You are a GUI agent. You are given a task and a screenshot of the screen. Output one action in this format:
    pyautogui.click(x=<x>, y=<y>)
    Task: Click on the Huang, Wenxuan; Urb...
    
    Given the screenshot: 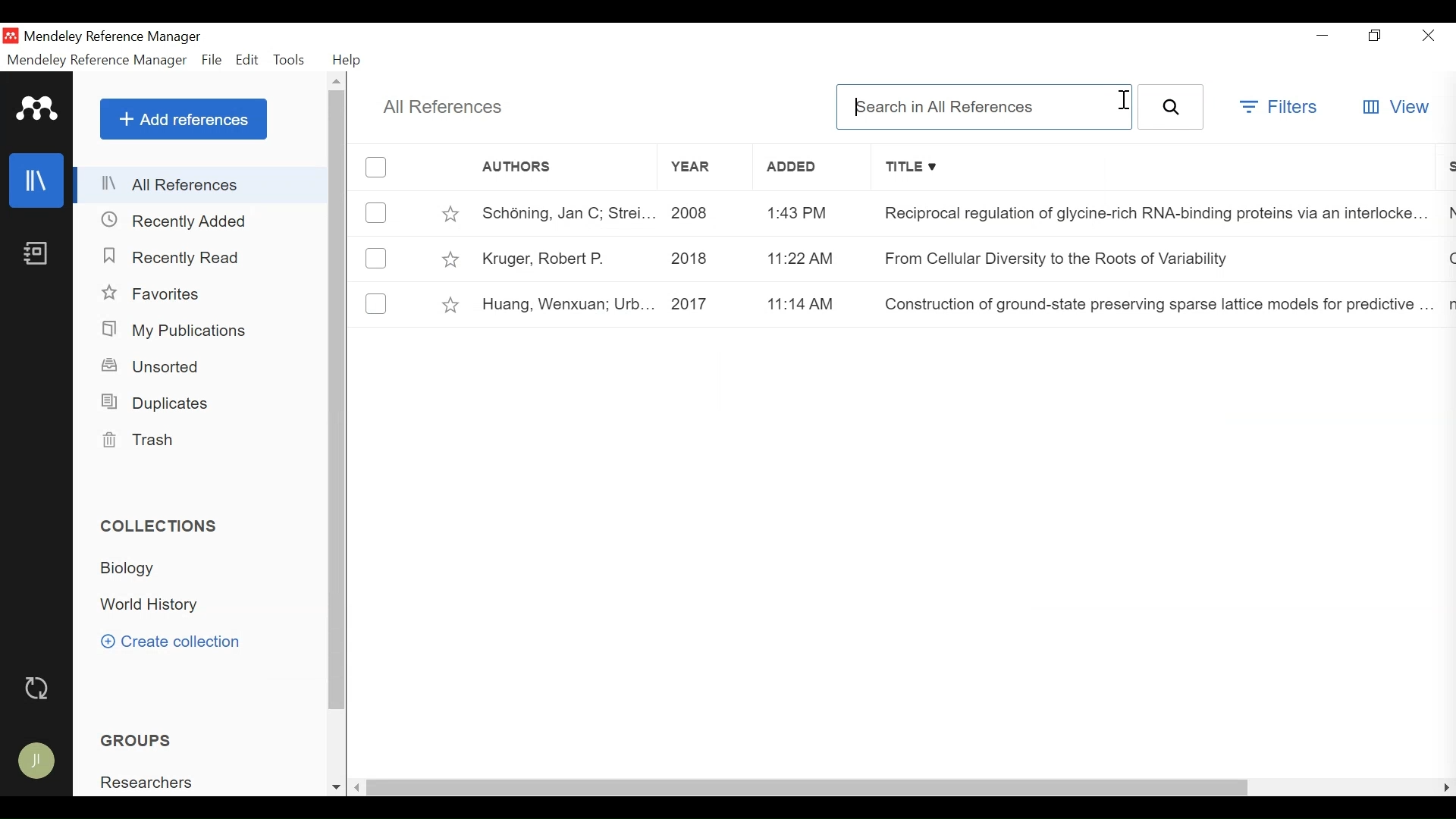 What is the action you would take?
    pyautogui.click(x=563, y=306)
    